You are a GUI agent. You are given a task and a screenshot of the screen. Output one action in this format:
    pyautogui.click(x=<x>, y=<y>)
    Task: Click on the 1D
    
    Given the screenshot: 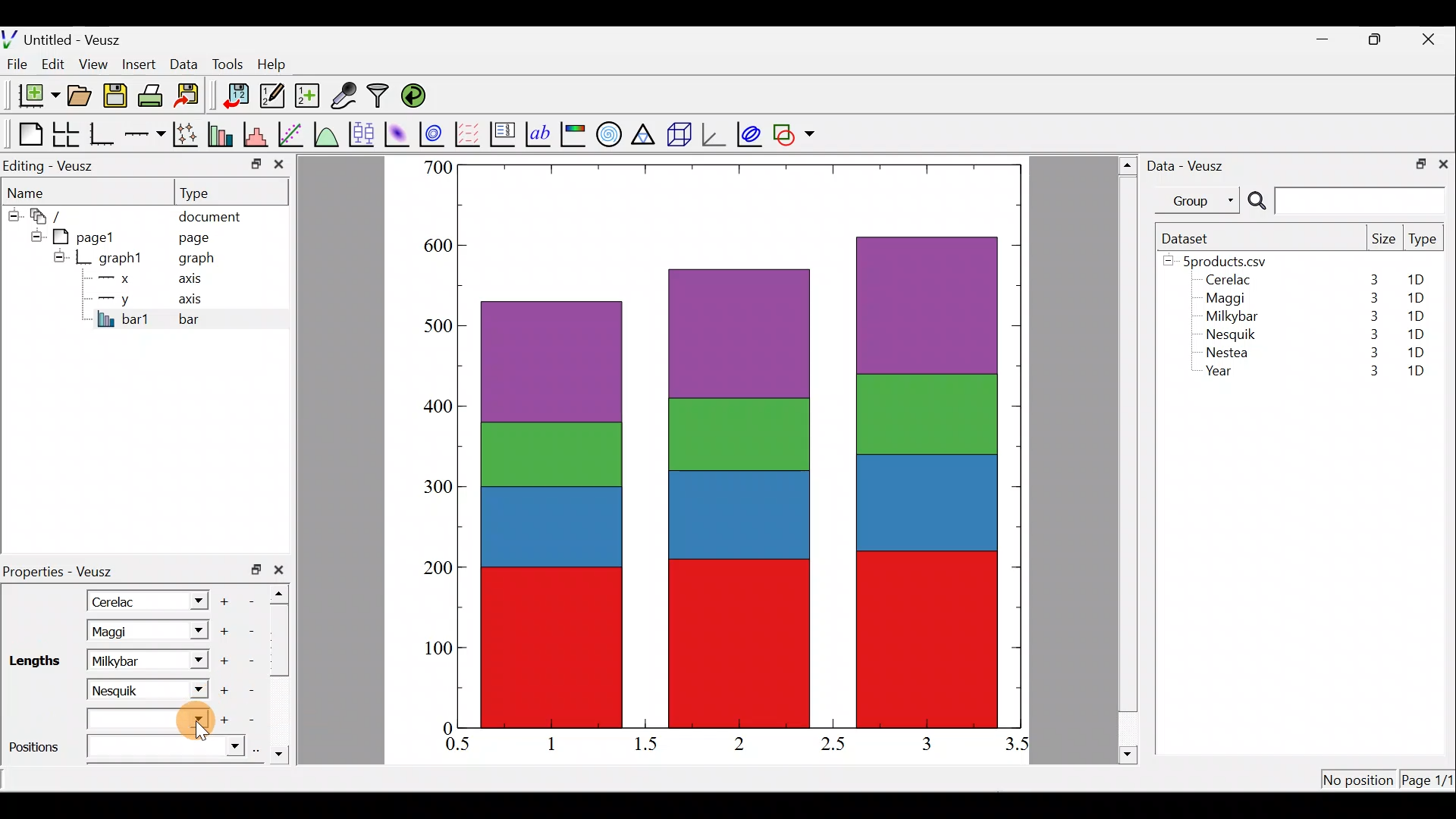 What is the action you would take?
    pyautogui.click(x=1415, y=298)
    